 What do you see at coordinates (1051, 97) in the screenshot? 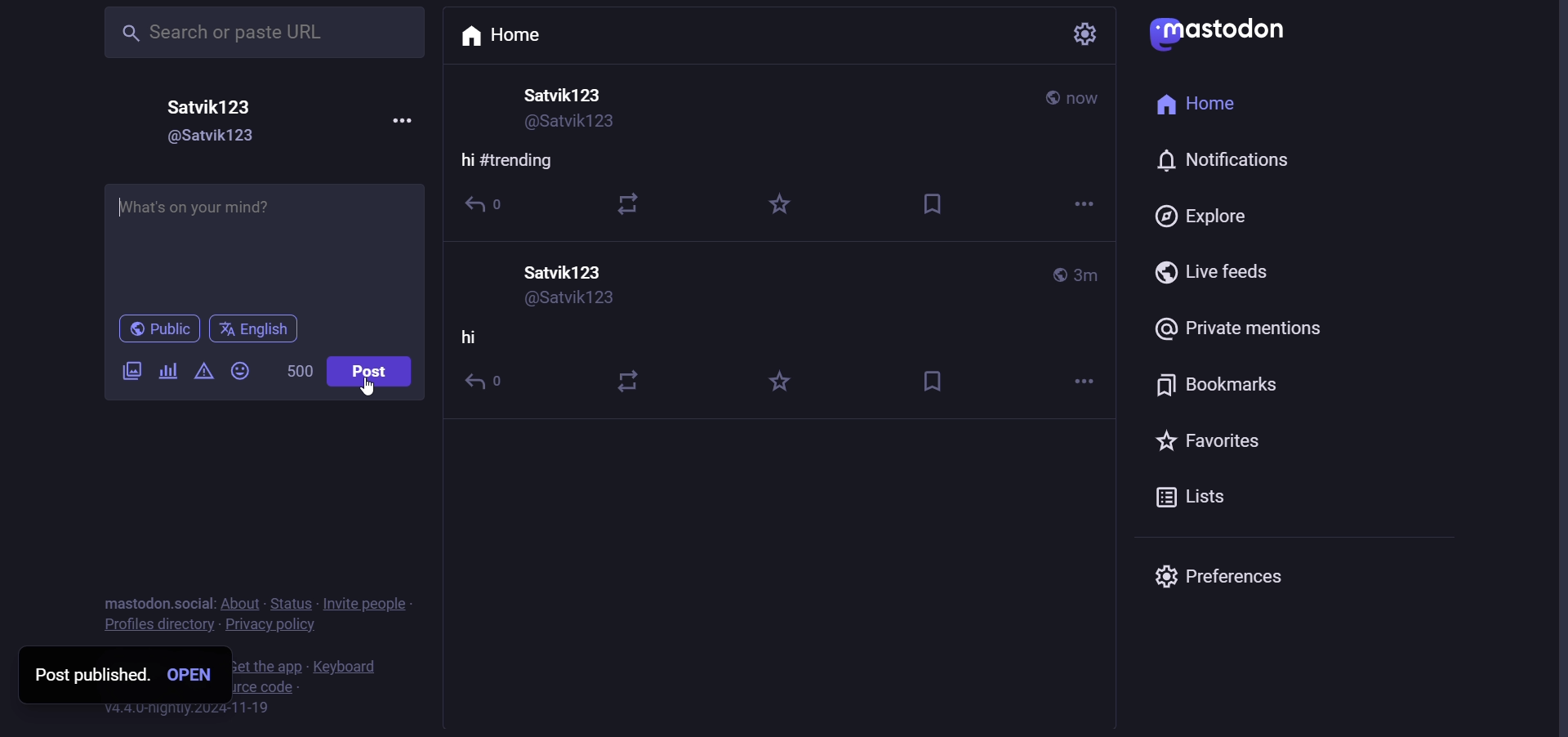
I see `public` at bounding box center [1051, 97].